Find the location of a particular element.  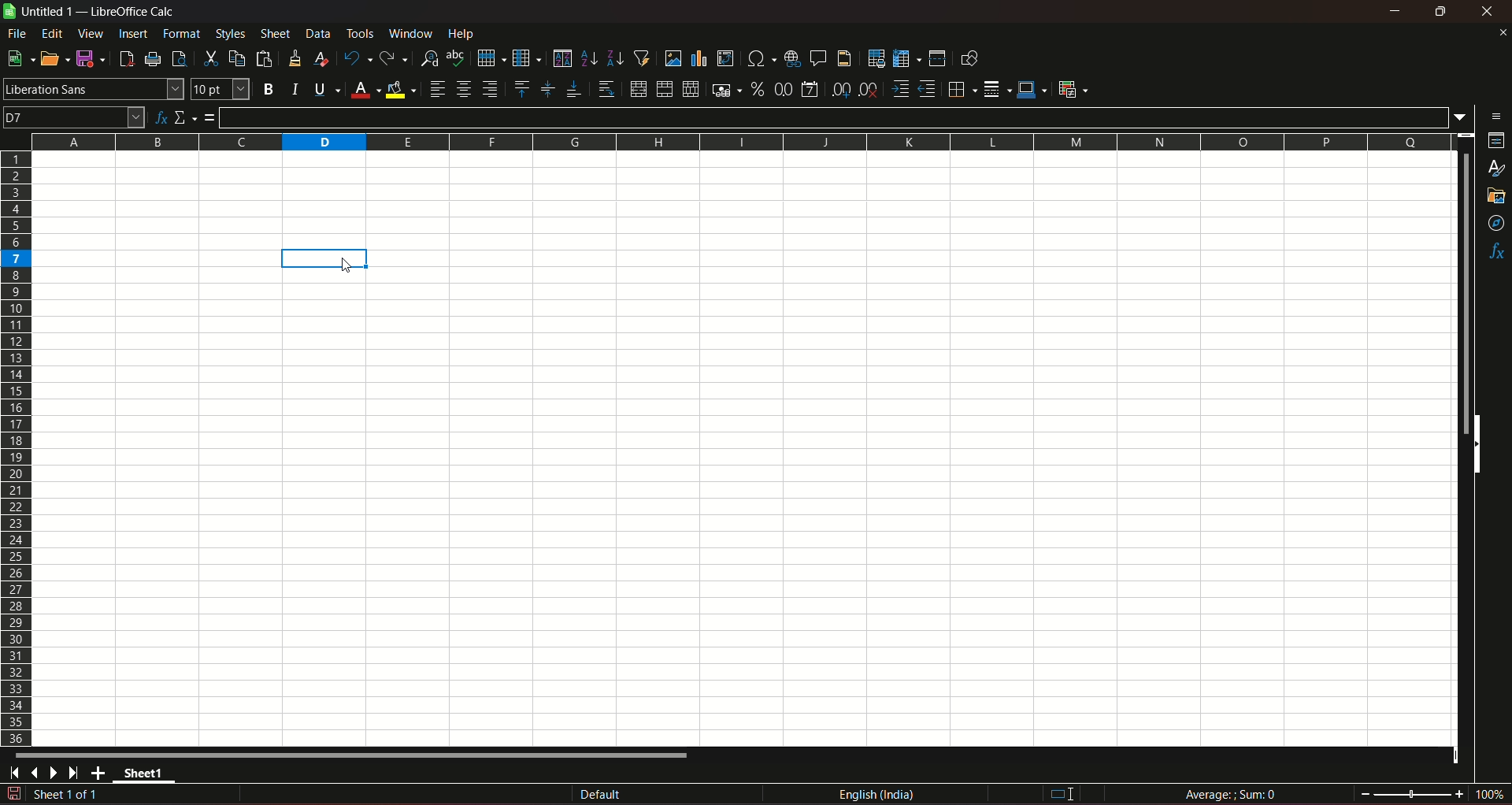

sheet sequence is located at coordinates (67, 796).